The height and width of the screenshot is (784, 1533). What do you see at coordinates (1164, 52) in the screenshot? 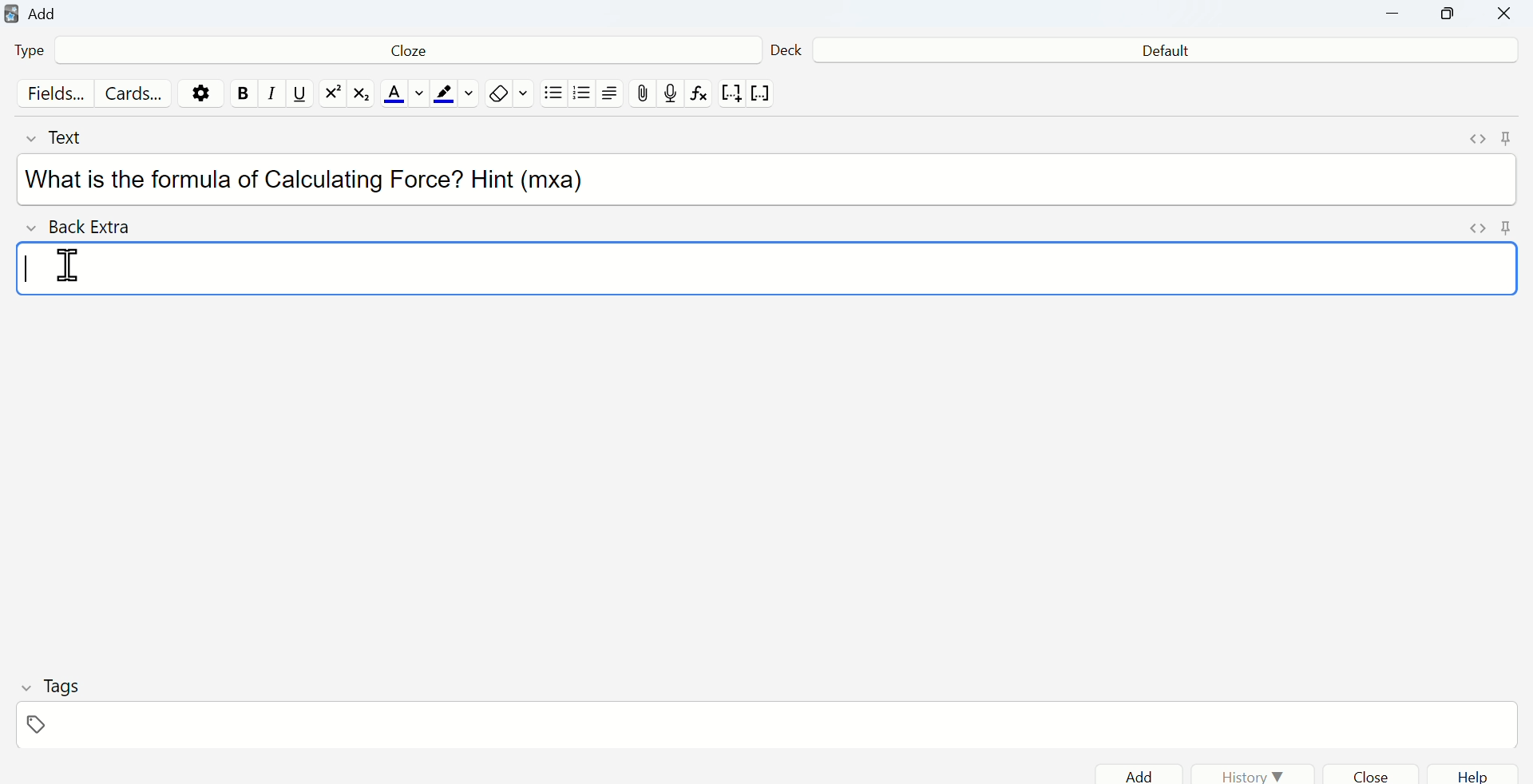
I see `Default` at bounding box center [1164, 52].